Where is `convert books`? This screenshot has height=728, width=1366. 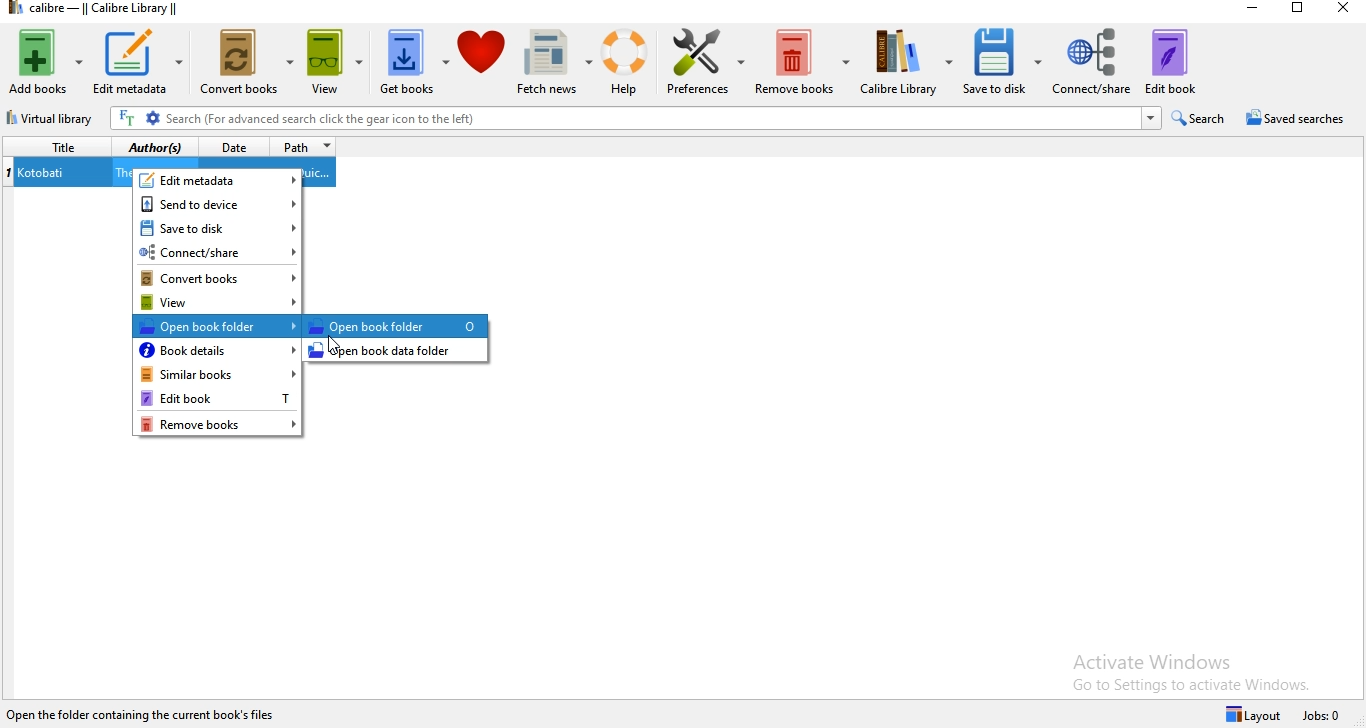 convert books is located at coordinates (218, 277).